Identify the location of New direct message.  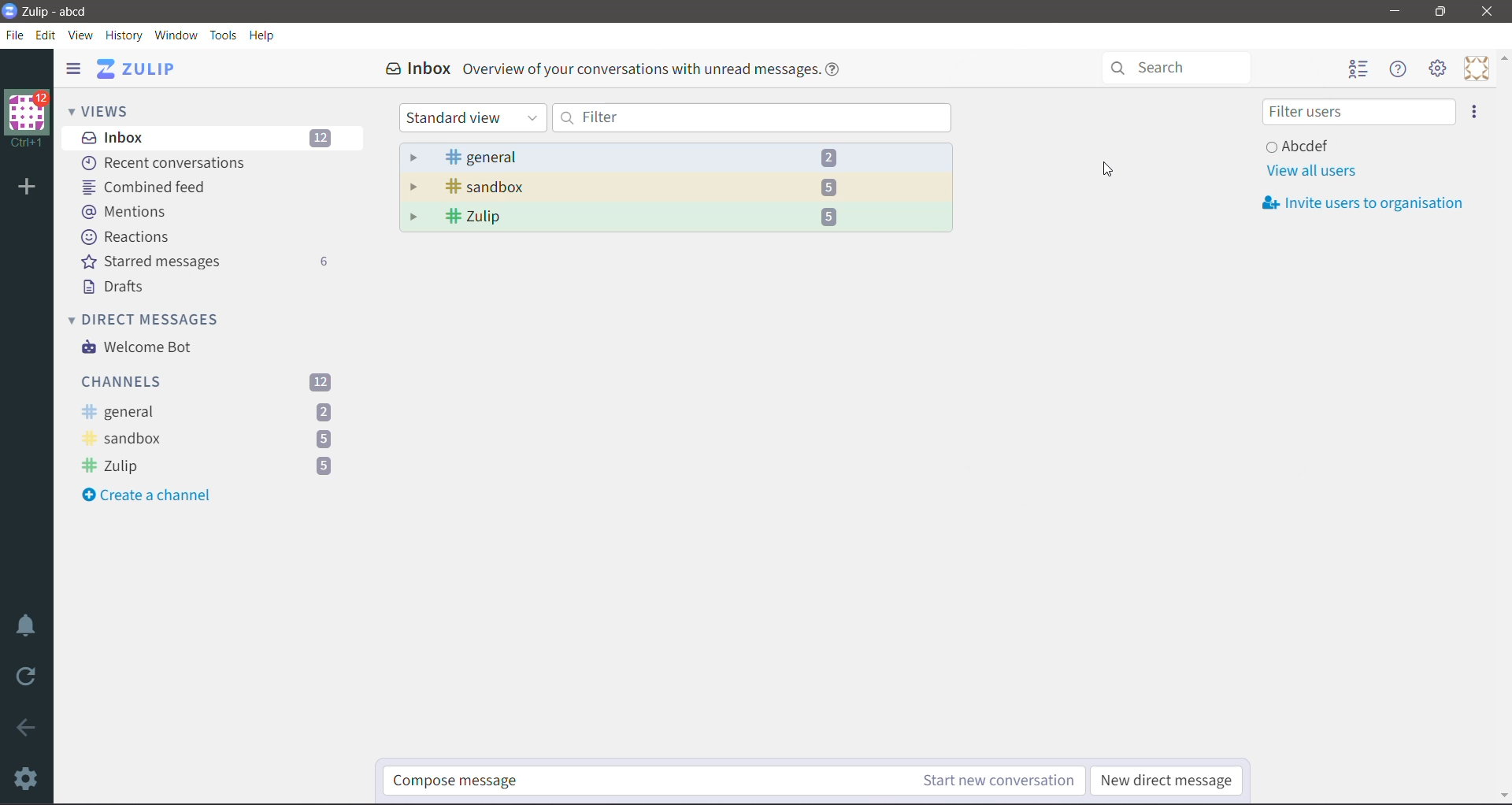
(1168, 781).